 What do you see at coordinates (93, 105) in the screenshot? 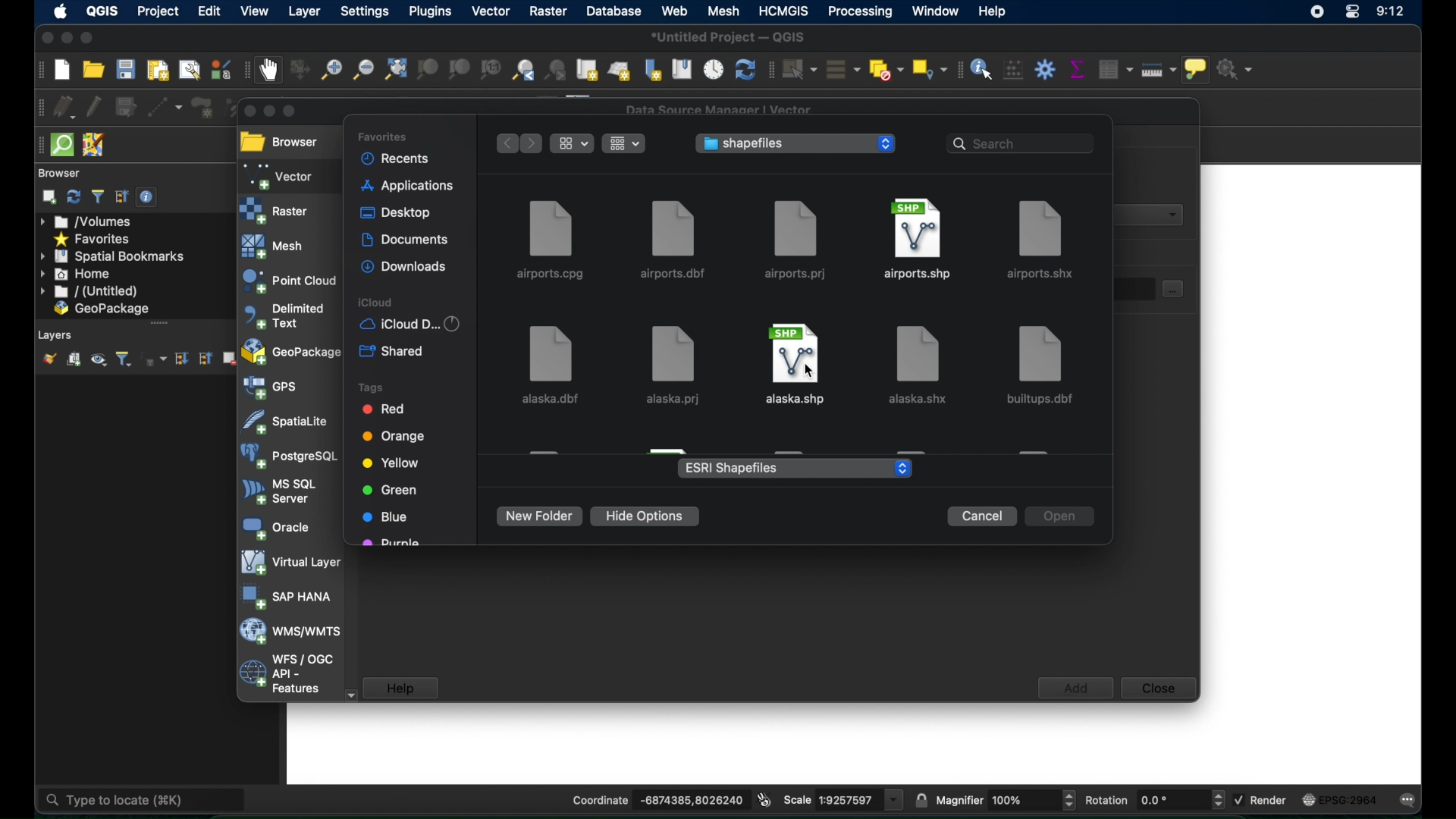
I see `toggle editing` at bounding box center [93, 105].